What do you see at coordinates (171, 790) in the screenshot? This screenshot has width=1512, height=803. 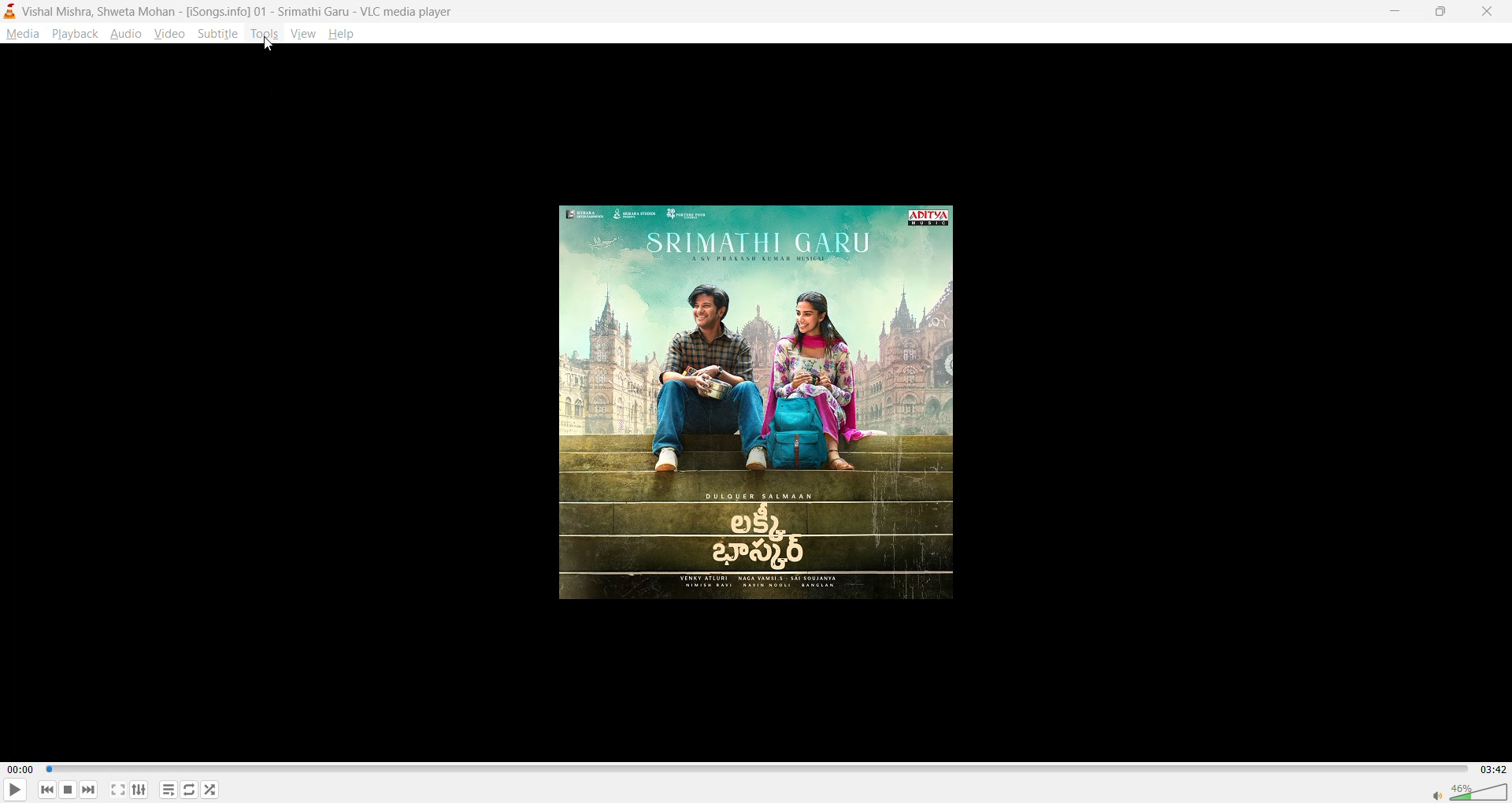 I see `playlist` at bounding box center [171, 790].